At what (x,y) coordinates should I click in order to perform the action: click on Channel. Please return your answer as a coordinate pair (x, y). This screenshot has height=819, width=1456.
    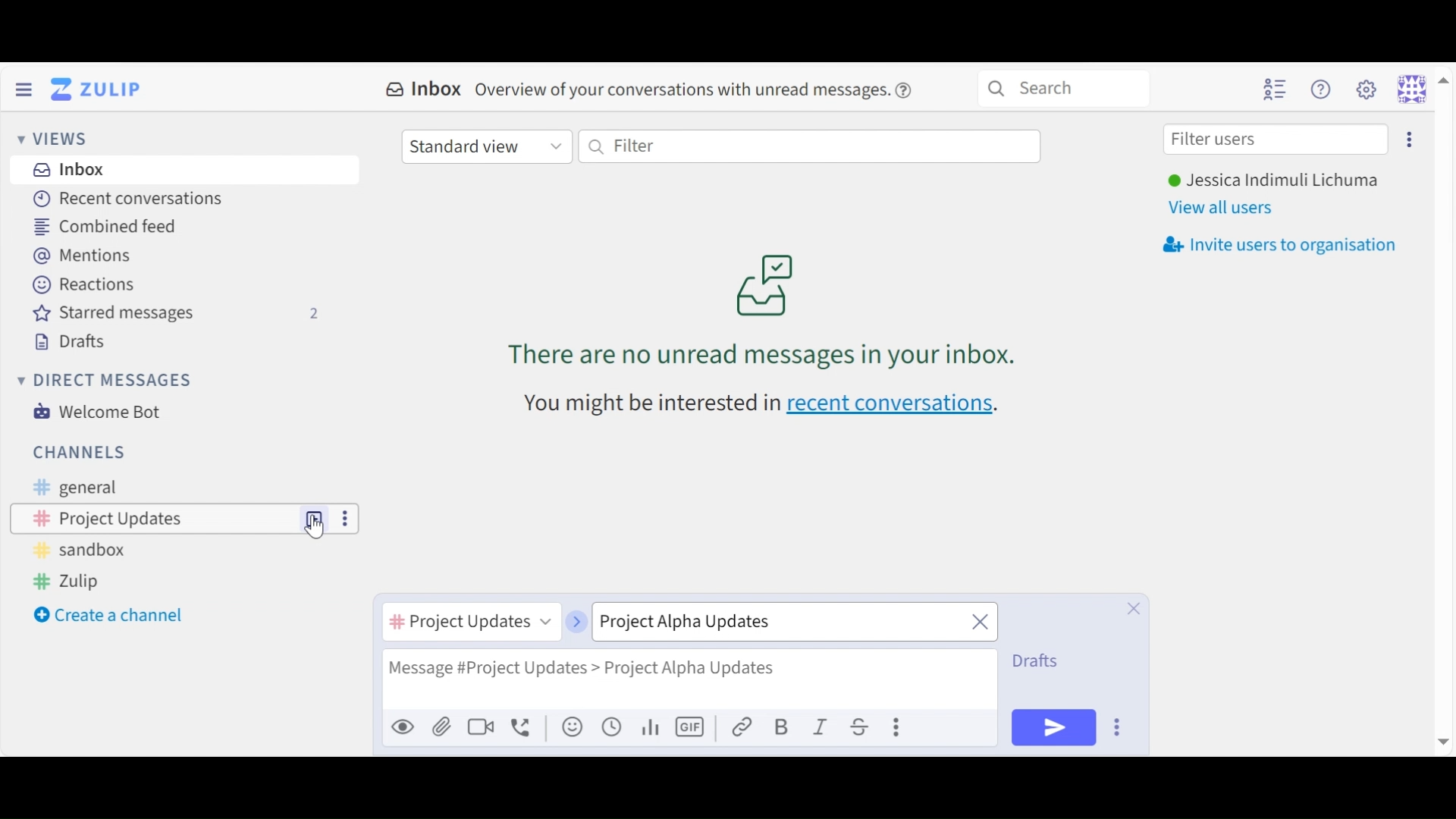
    Looking at the image, I should click on (80, 451).